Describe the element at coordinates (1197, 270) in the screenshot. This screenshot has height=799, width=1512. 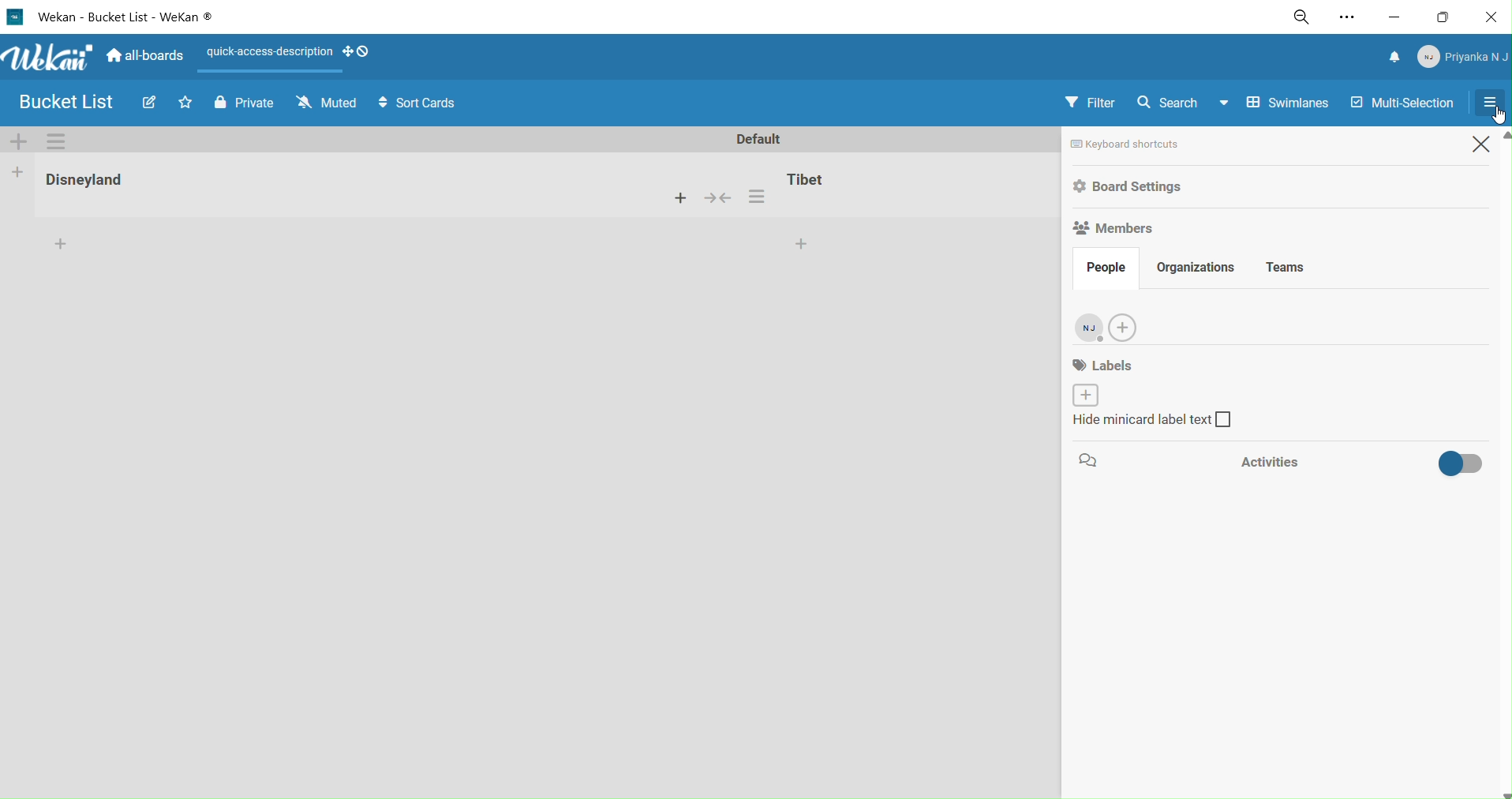
I see `organizations` at that location.